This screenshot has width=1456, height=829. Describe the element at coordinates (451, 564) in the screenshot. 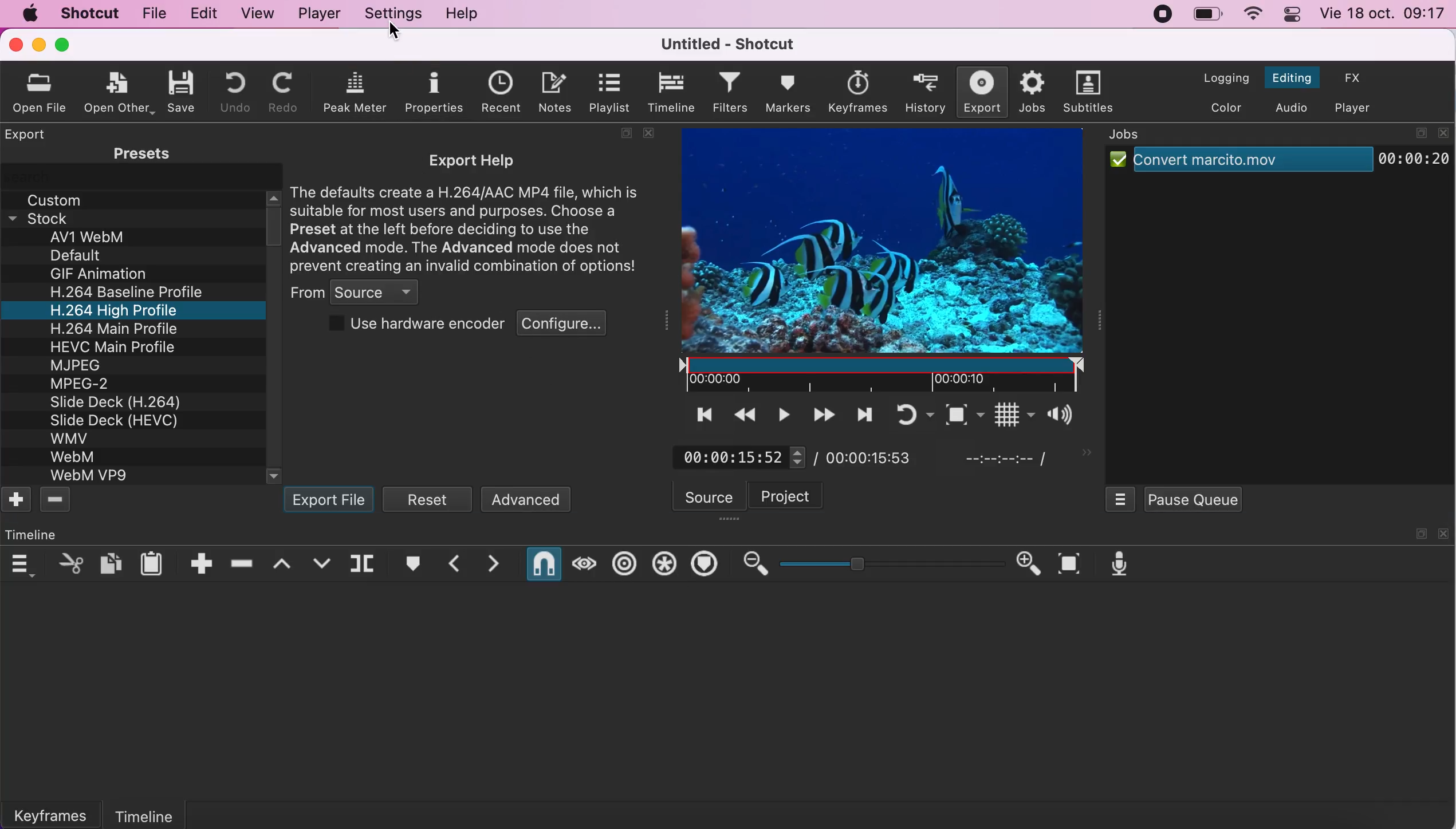

I see `previous marker` at that location.